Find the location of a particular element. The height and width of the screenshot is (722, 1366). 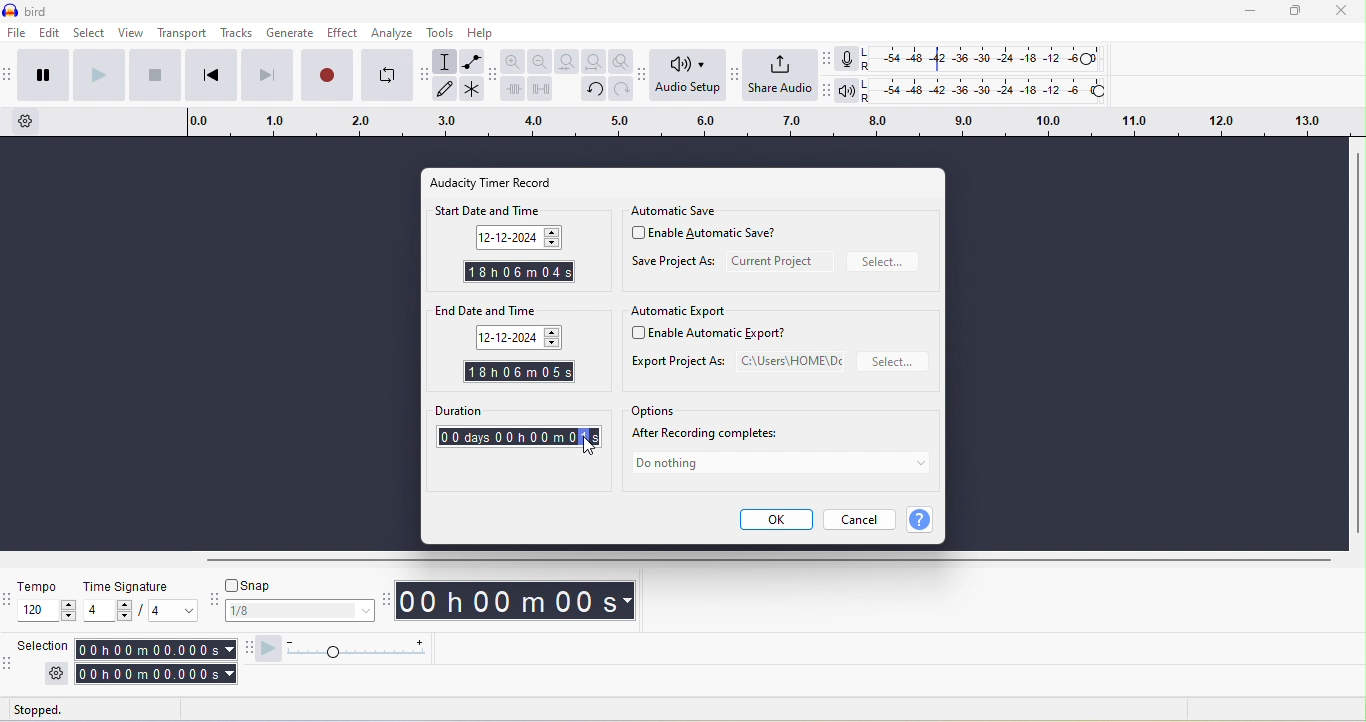

maximize is located at coordinates (1296, 12).